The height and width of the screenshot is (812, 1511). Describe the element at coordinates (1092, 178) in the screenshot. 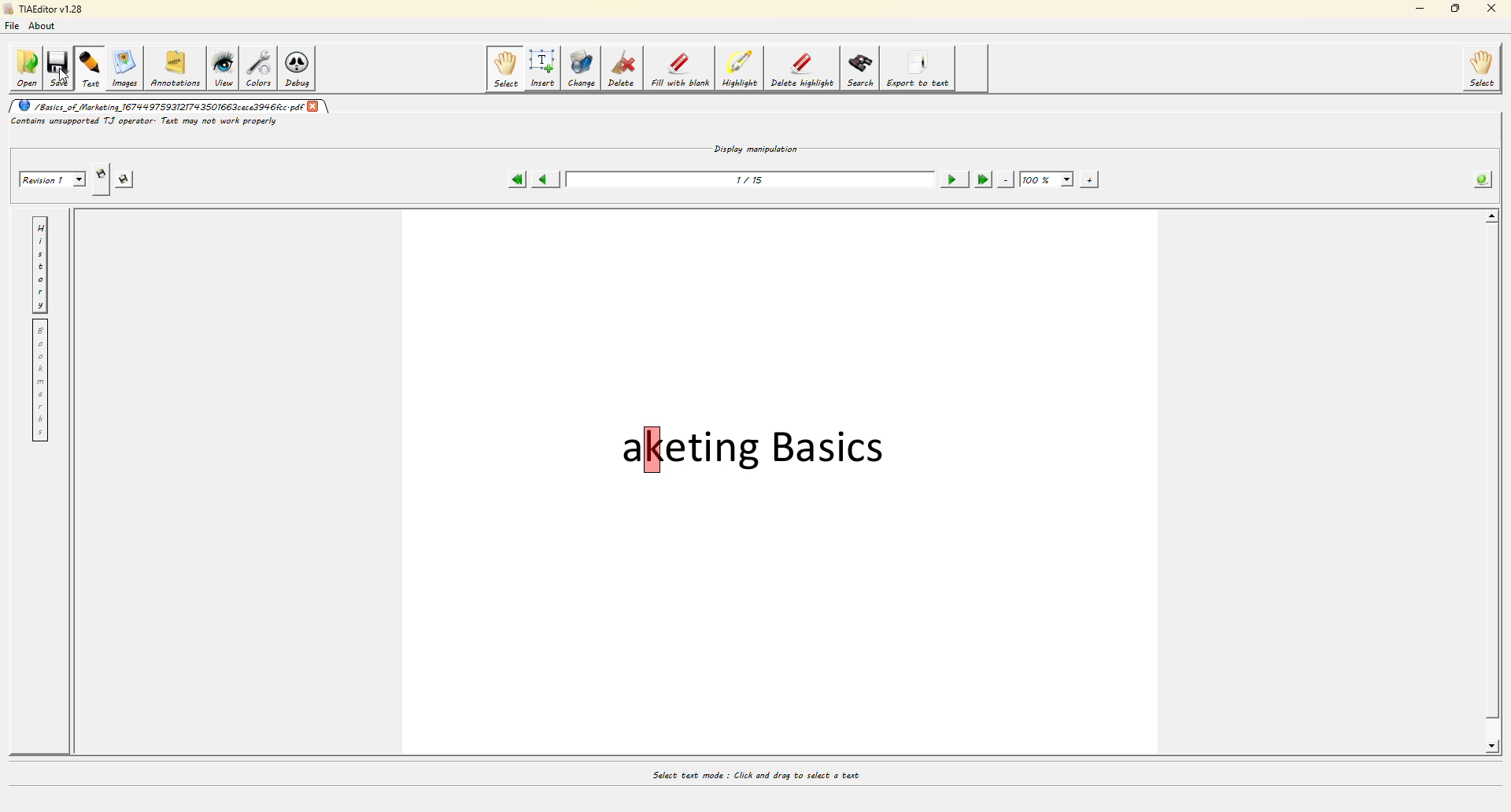

I see `zoom in` at that location.